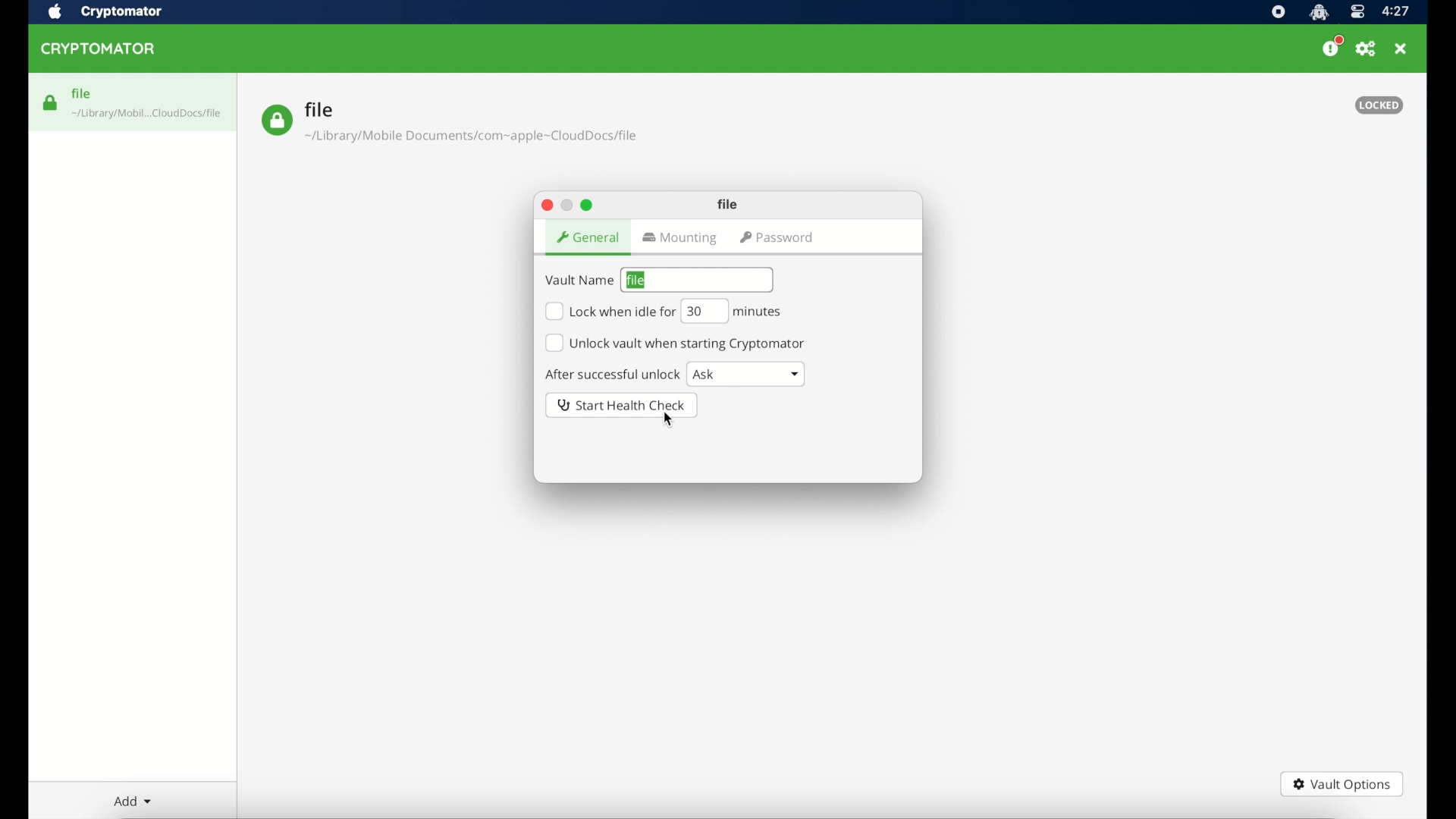 The width and height of the screenshot is (1456, 819). What do you see at coordinates (587, 237) in the screenshot?
I see `general` at bounding box center [587, 237].